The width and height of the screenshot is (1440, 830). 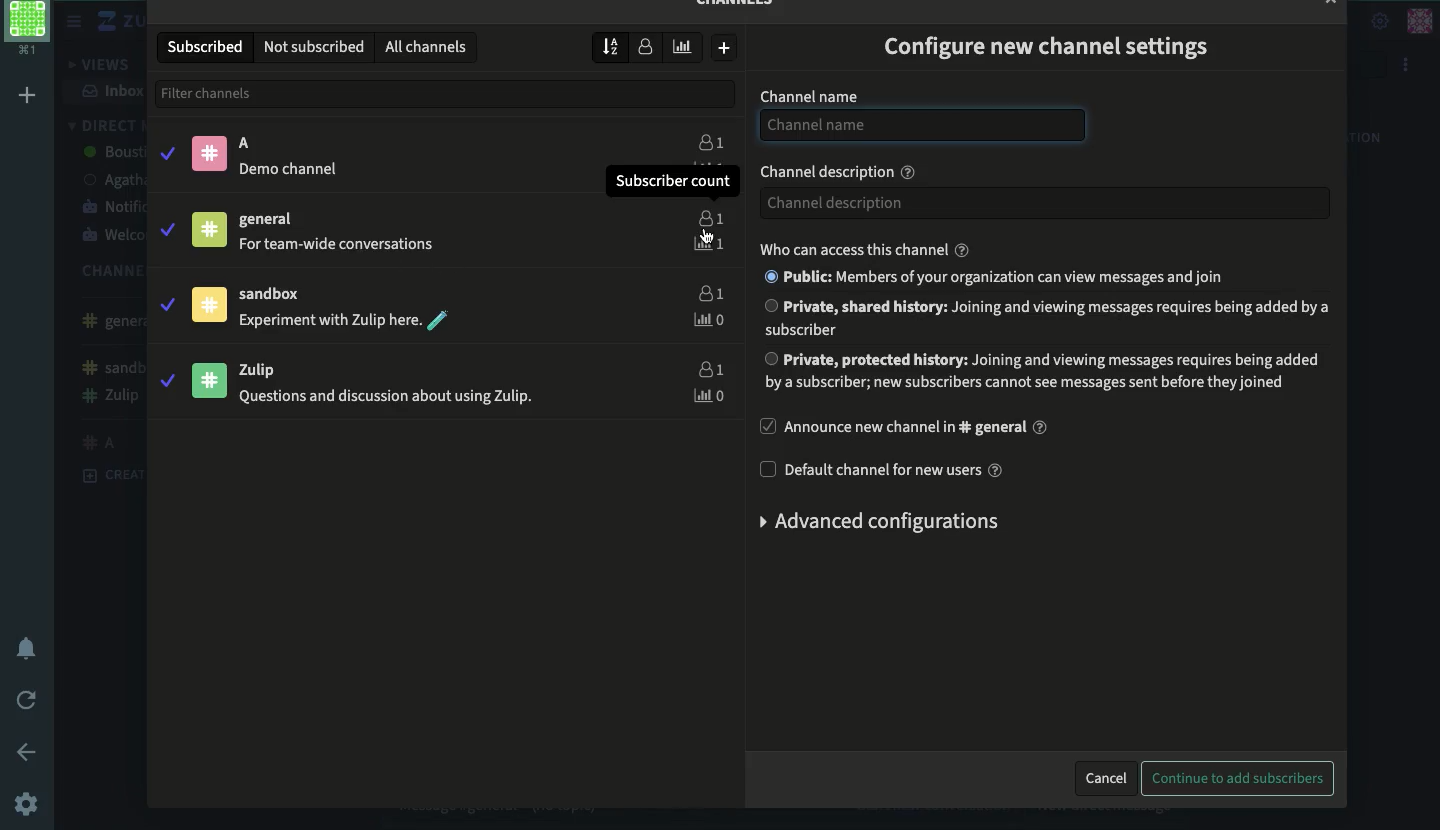 What do you see at coordinates (645, 46) in the screenshot?
I see `number of subscribers` at bounding box center [645, 46].